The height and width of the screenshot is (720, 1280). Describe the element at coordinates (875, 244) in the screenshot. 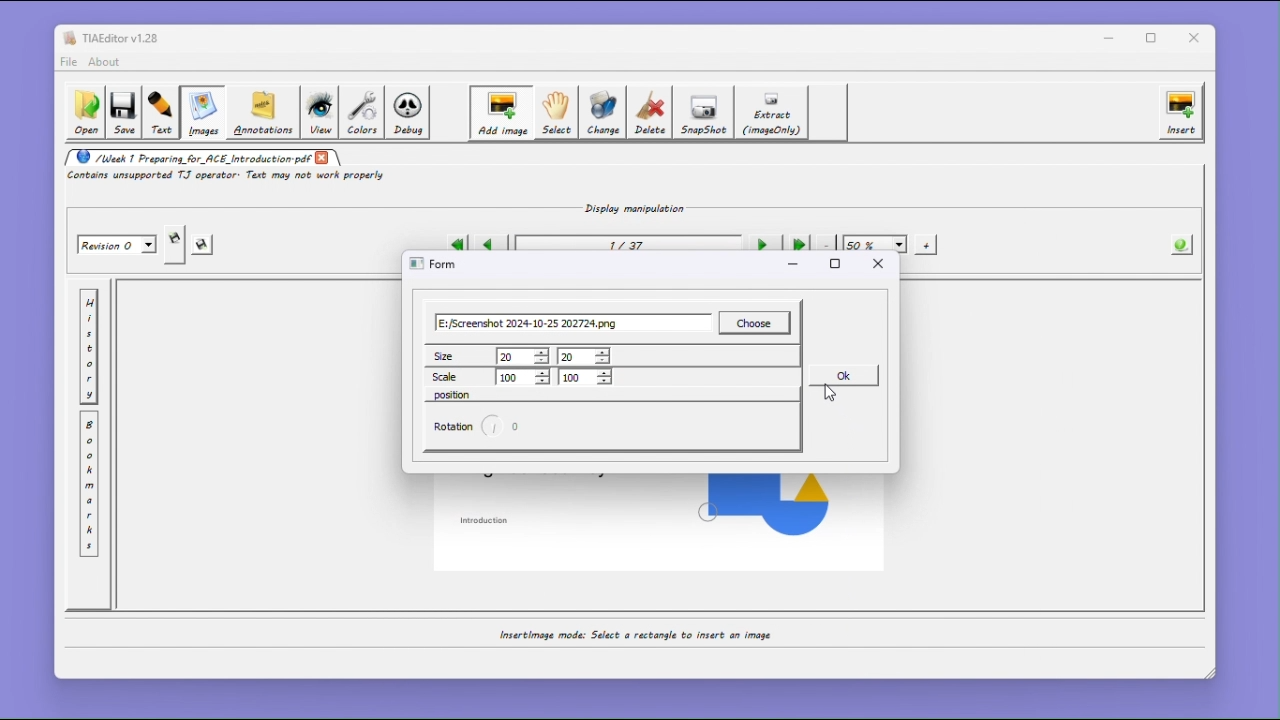

I see `50%` at that location.